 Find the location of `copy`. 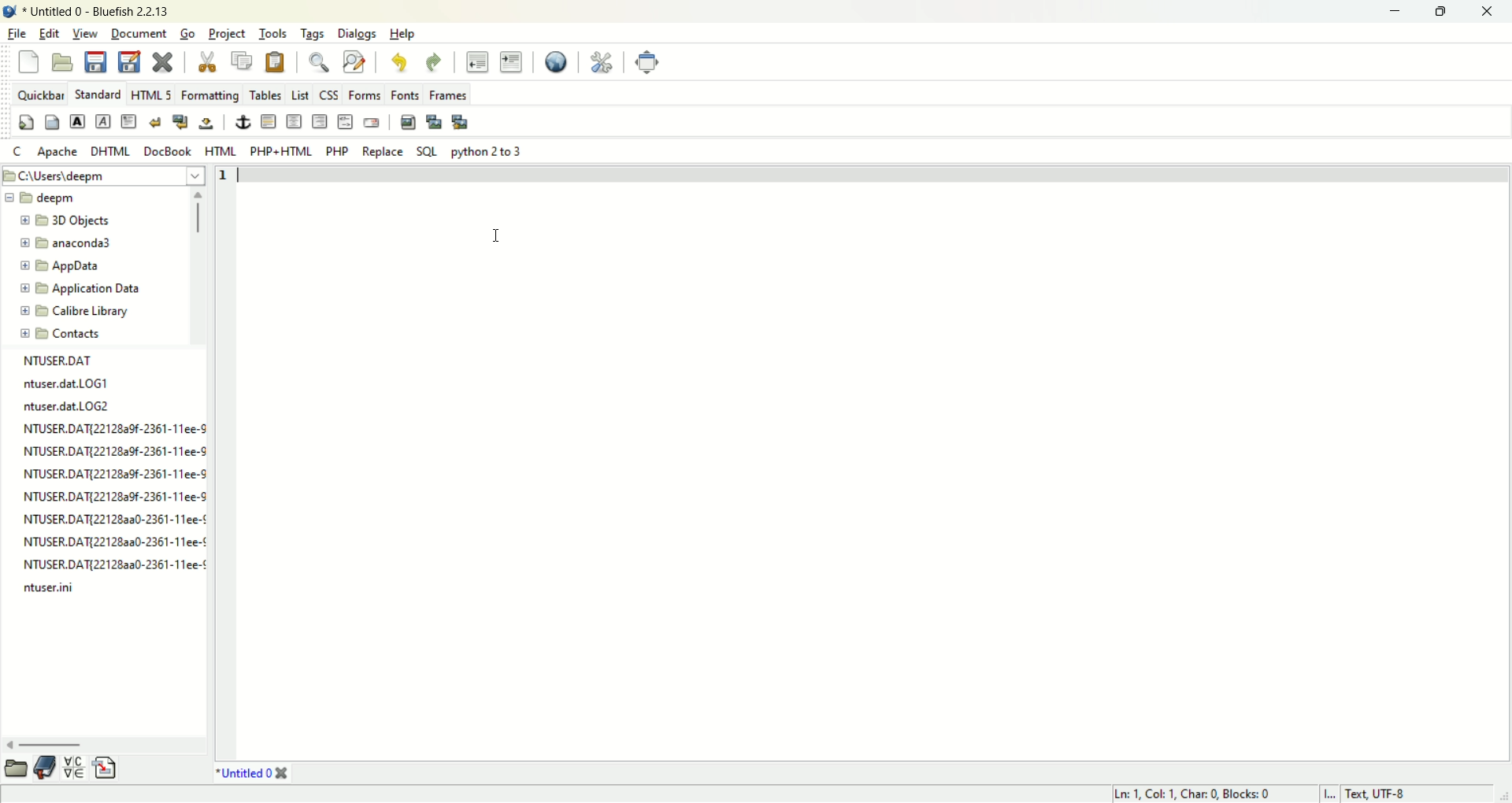

copy is located at coordinates (240, 60).